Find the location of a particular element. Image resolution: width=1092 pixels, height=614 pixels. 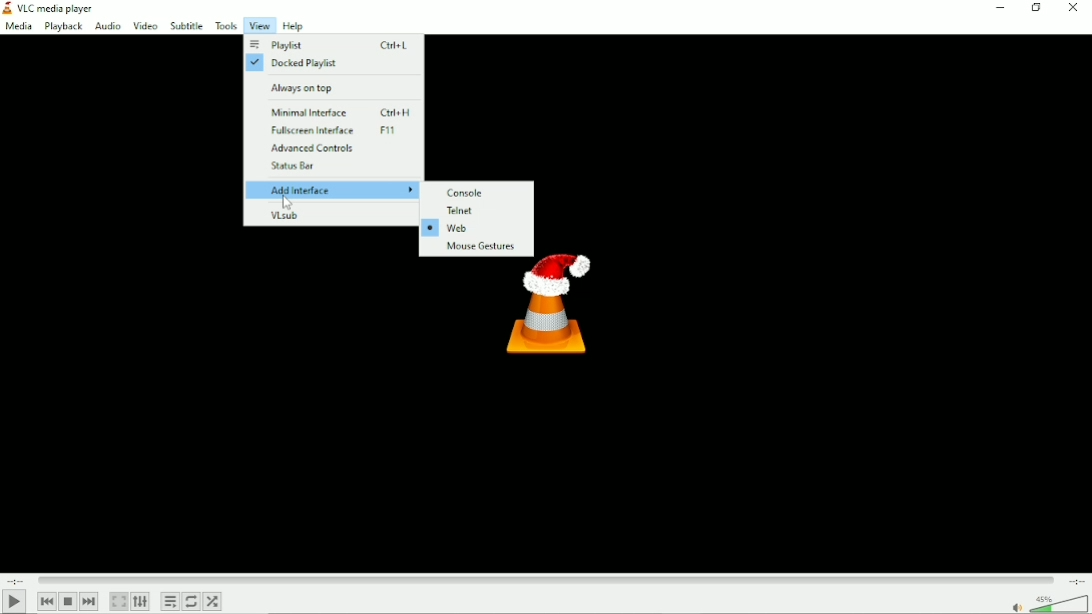

View is located at coordinates (259, 25).